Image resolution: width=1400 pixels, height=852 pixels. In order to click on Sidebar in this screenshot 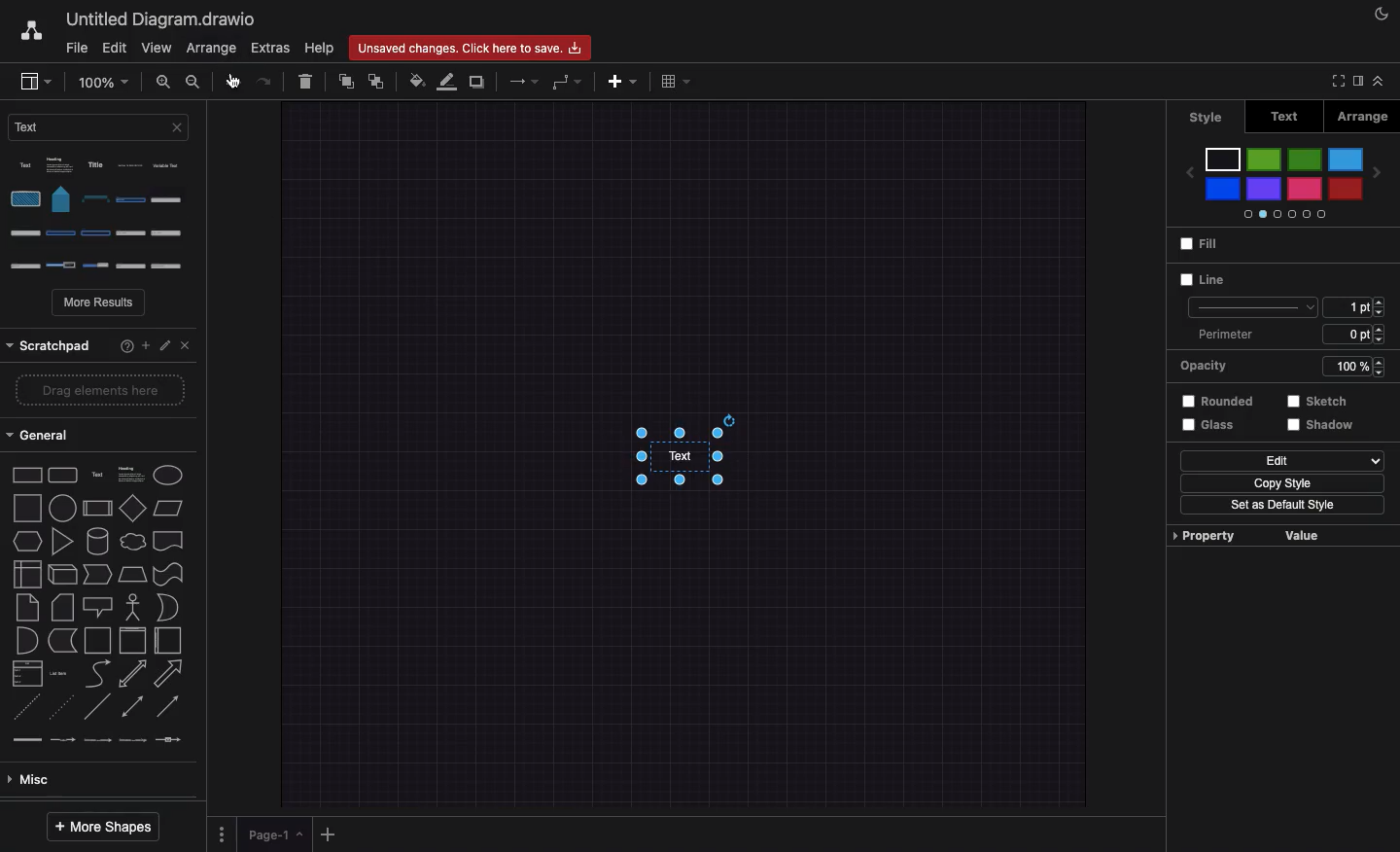, I will do `click(1356, 82)`.